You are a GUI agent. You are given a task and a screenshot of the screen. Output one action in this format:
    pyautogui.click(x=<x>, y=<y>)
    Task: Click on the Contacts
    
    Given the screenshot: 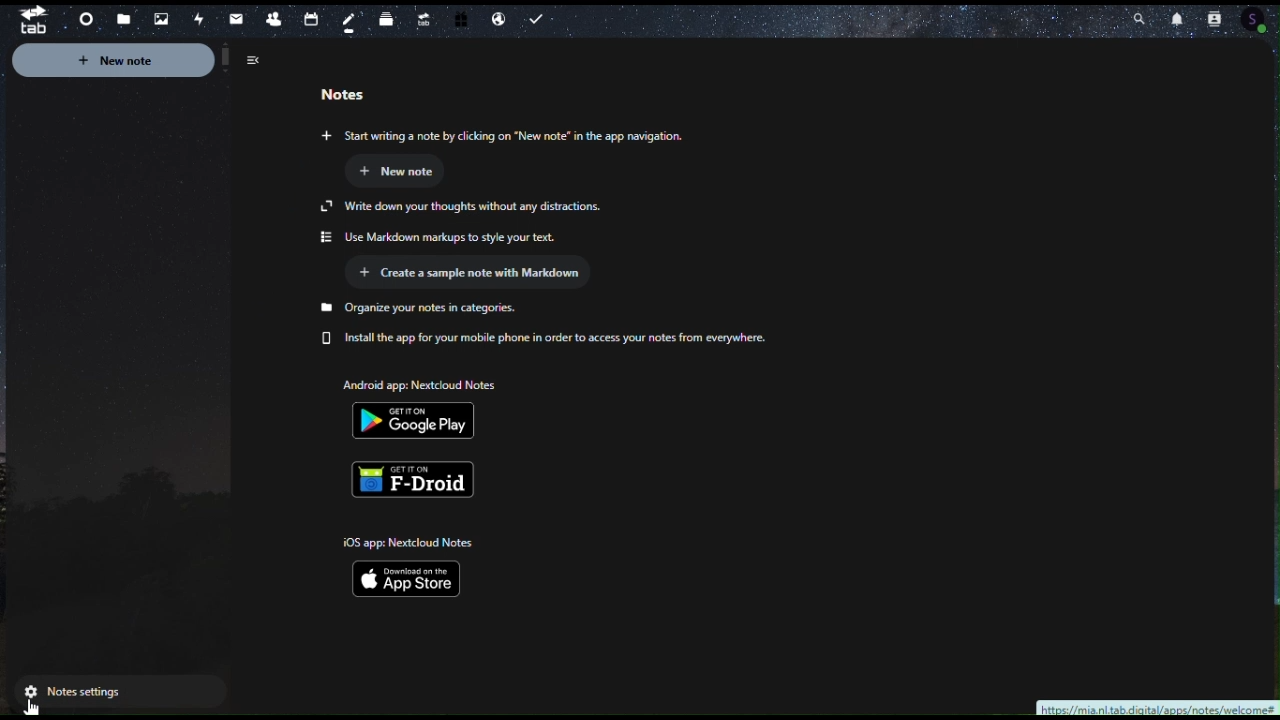 What is the action you would take?
    pyautogui.click(x=273, y=17)
    